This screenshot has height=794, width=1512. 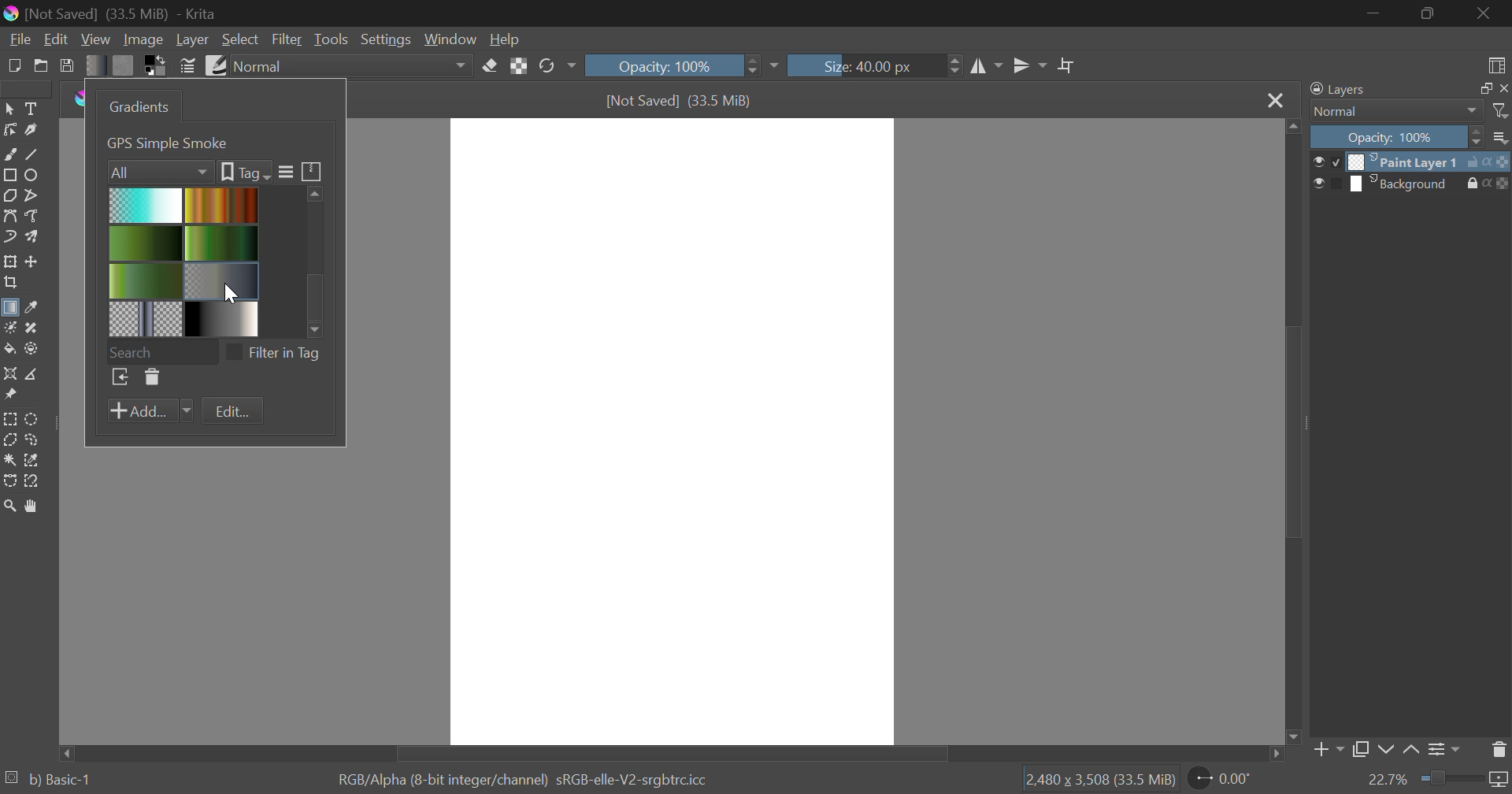 I want to click on Circular Selection, so click(x=34, y=419).